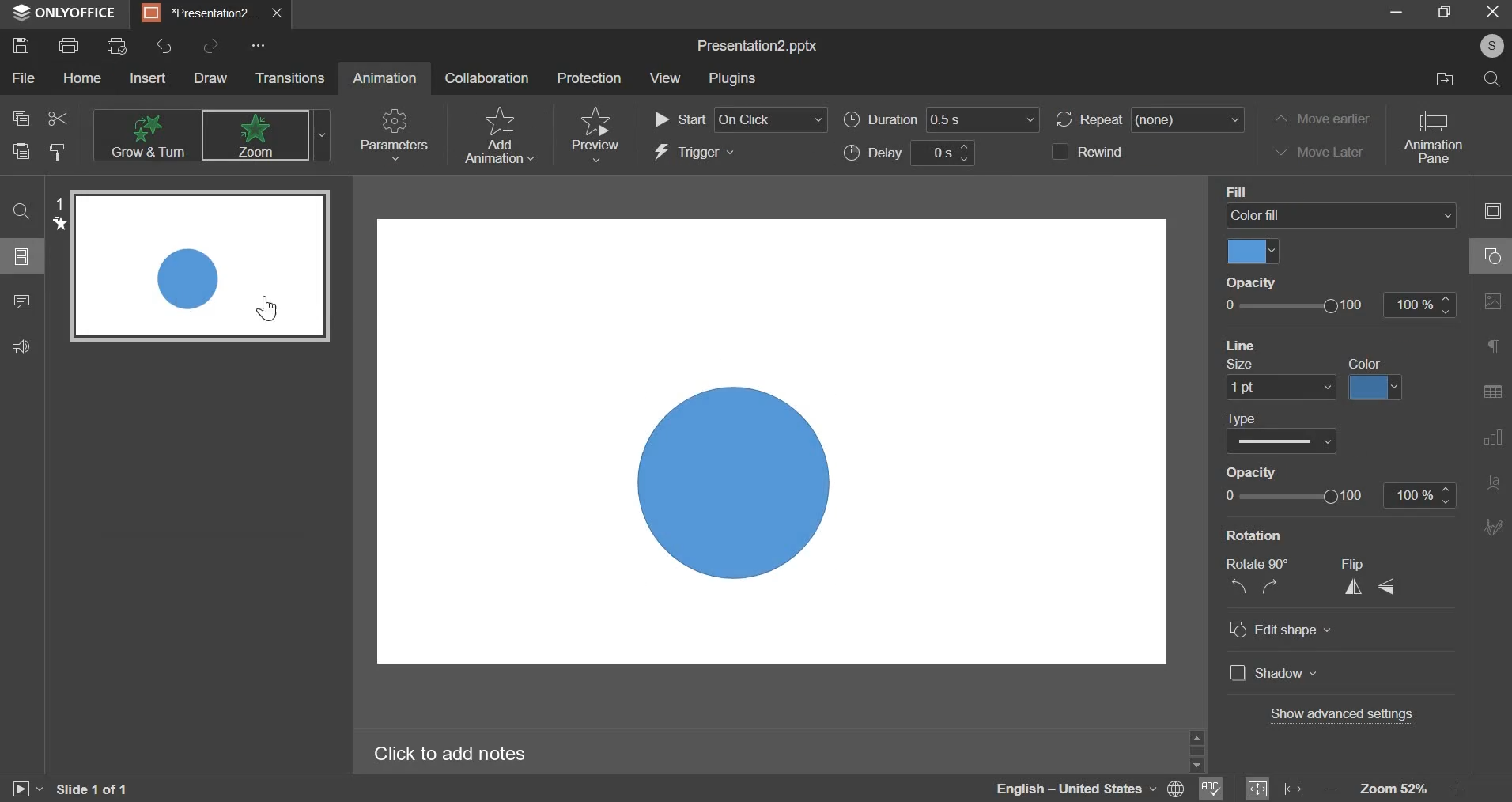  Describe the element at coordinates (1494, 79) in the screenshot. I see `search` at that location.